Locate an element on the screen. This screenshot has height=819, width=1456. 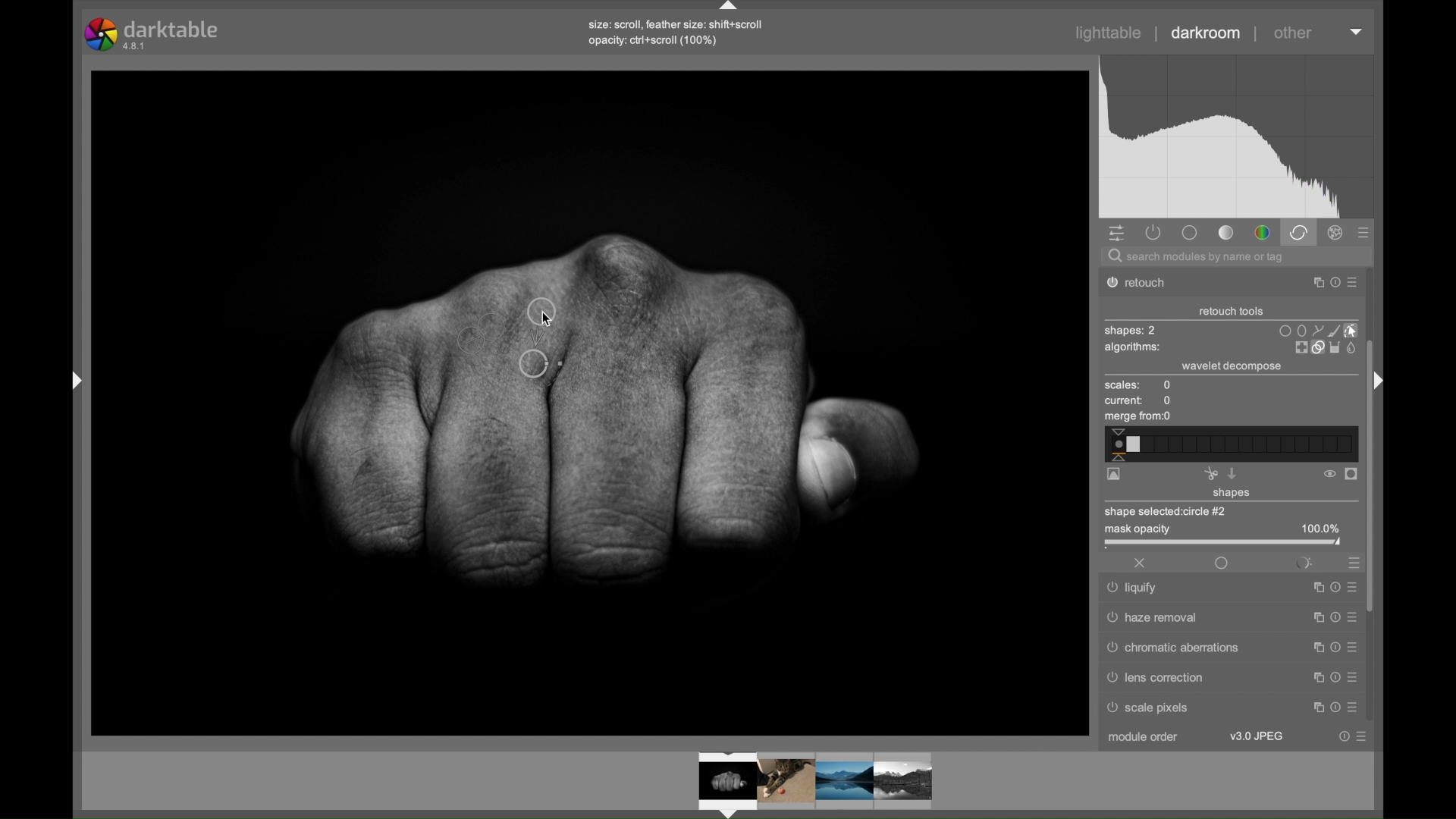
color is located at coordinates (1262, 234).